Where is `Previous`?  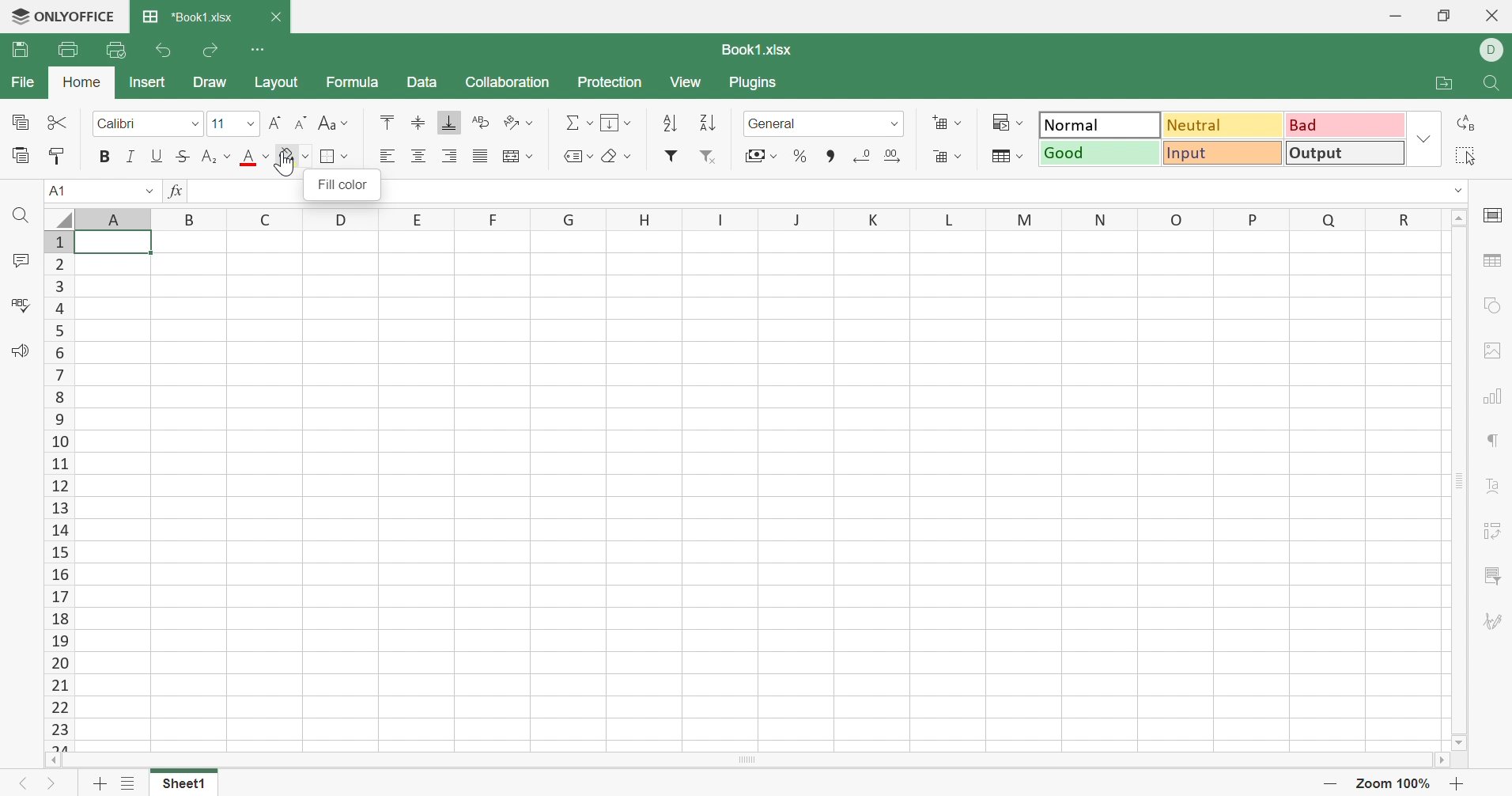
Previous is located at coordinates (27, 783).